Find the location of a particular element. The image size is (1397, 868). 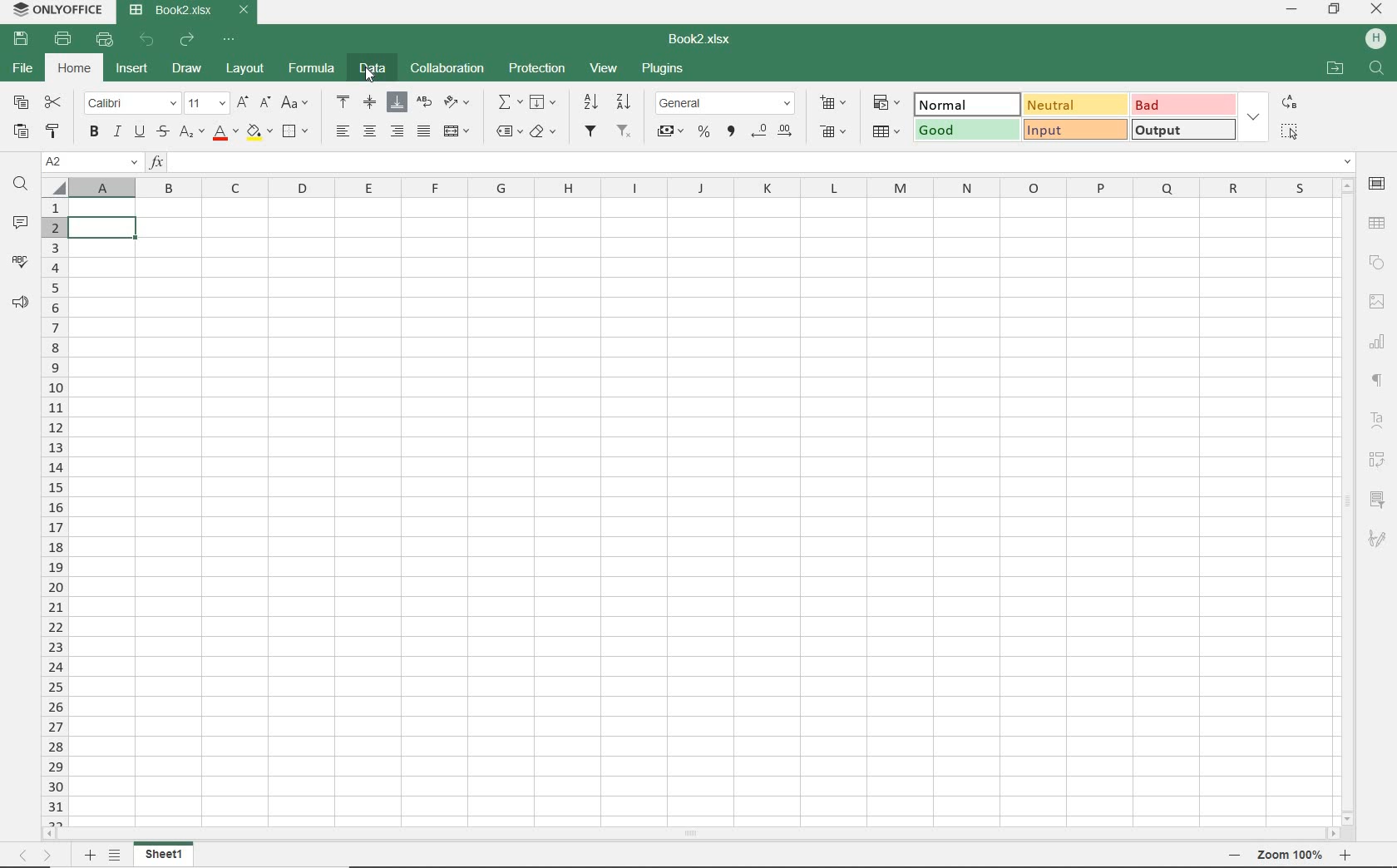

ITALIC is located at coordinates (116, 132).